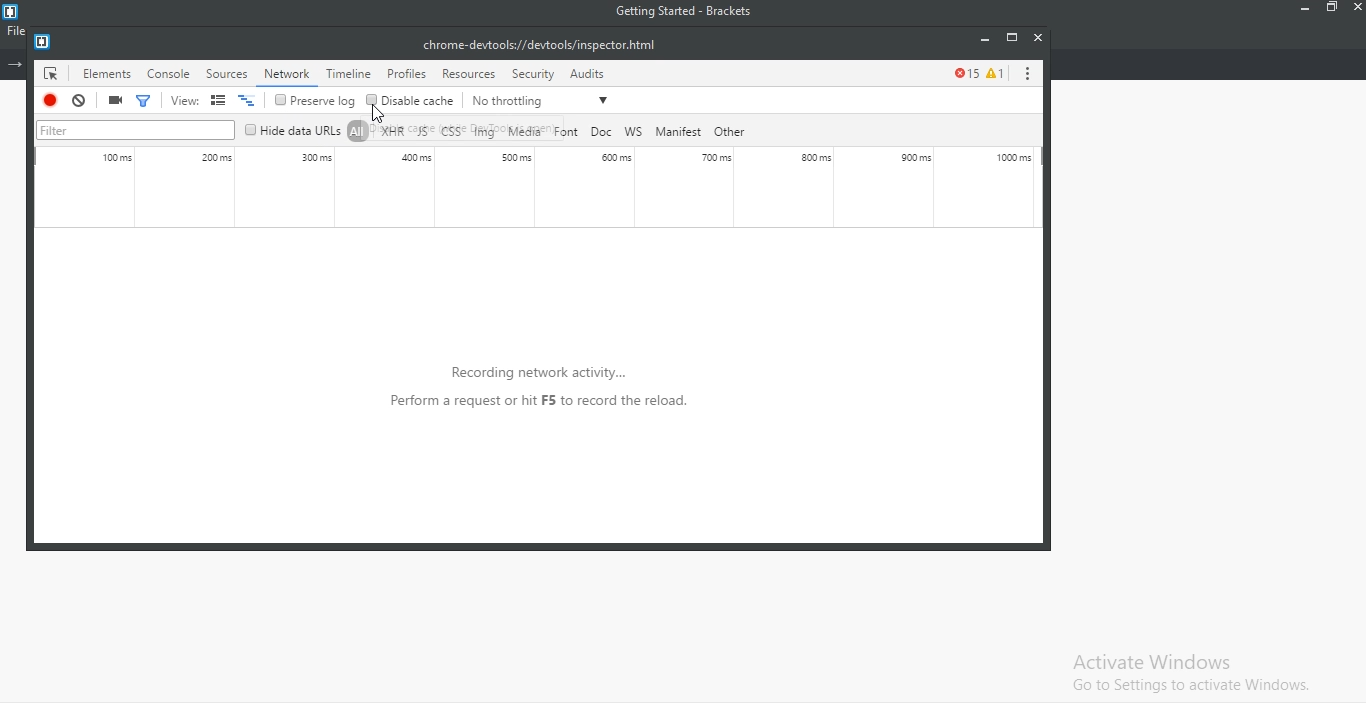  I want to click on elements, so click(104, 75).